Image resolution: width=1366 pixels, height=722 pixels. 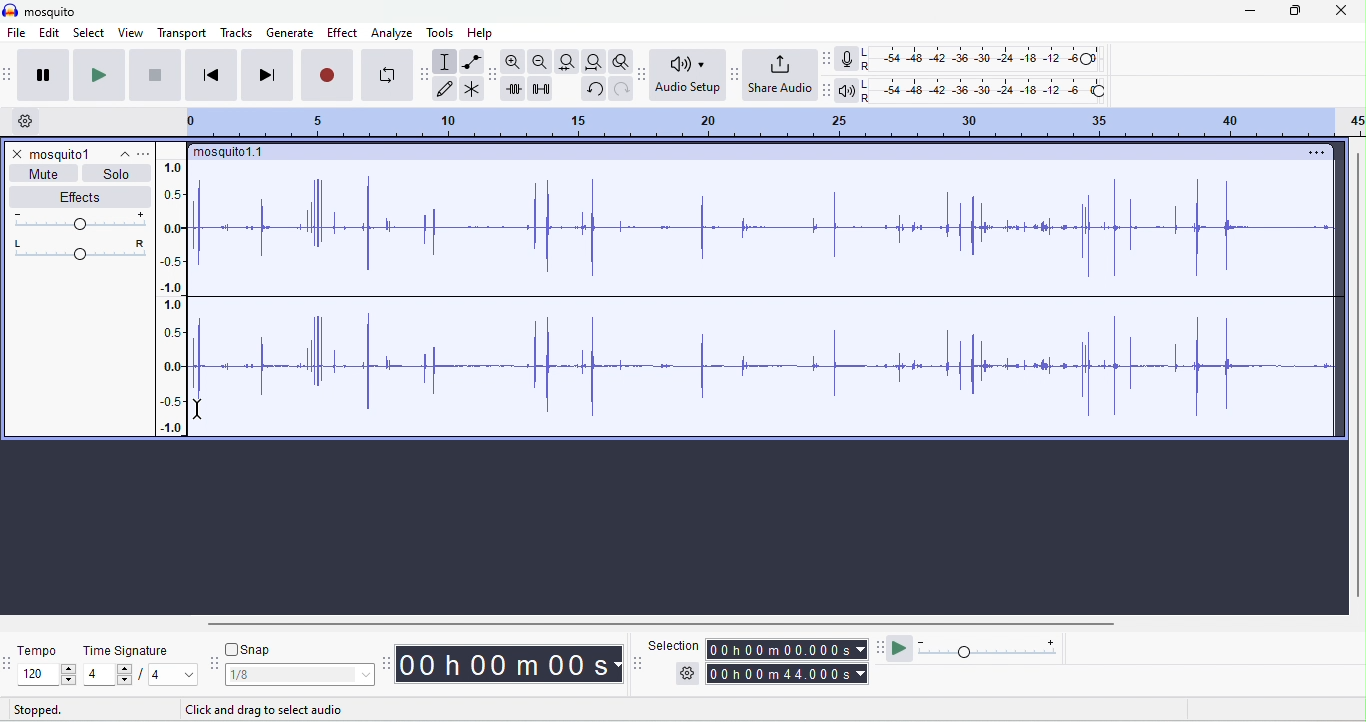 What do you see at coordinates (444, 89) in the screenshot?
I see `draw` at bounding box center [444, 89].